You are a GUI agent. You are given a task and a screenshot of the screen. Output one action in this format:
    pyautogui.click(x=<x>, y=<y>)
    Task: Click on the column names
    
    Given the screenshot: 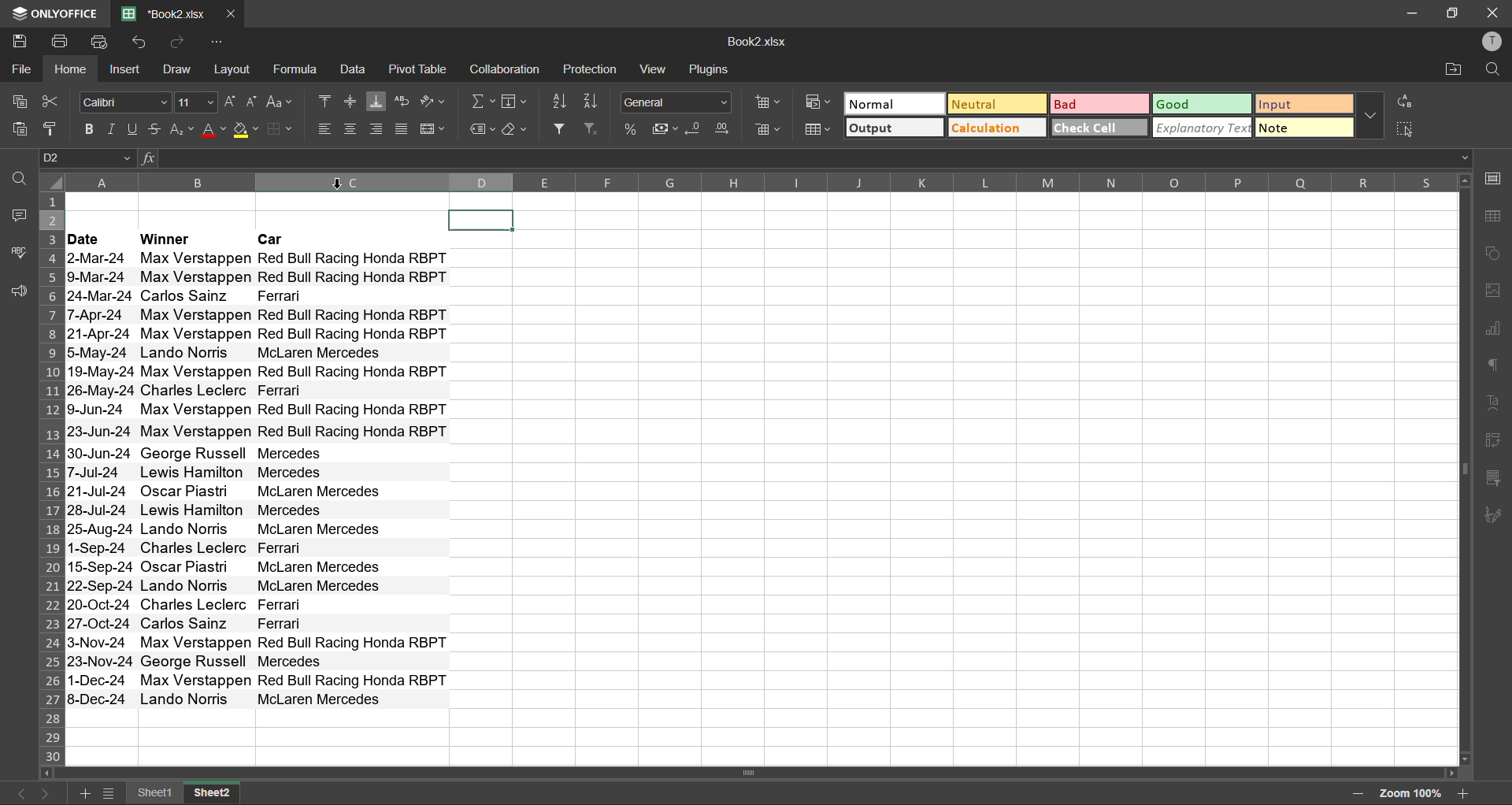 What is the action you would take?
    pyautogui.click(x=758, y=182)
    